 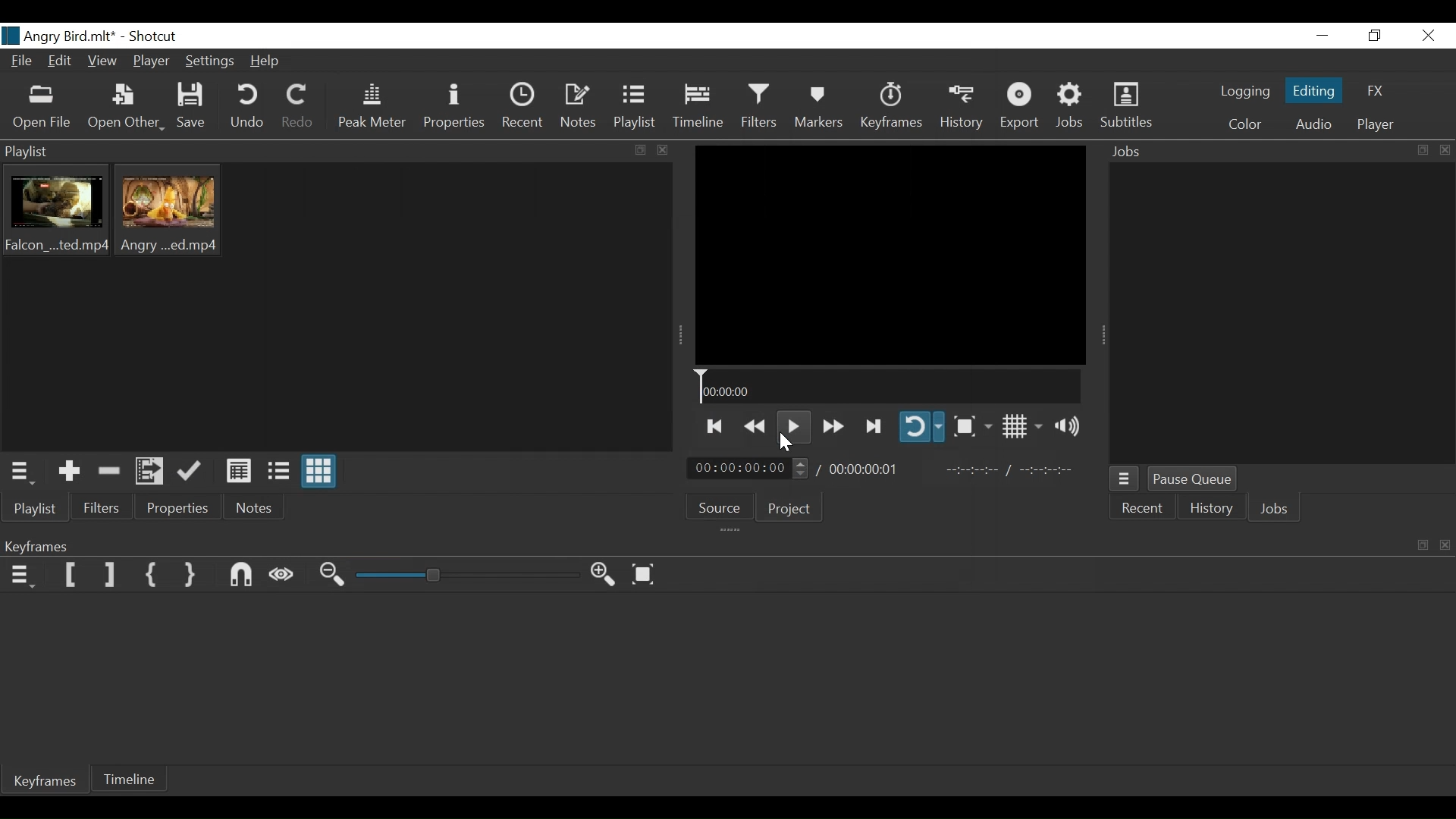 I want to click on Media Viewer, so click(x=895, y=256).